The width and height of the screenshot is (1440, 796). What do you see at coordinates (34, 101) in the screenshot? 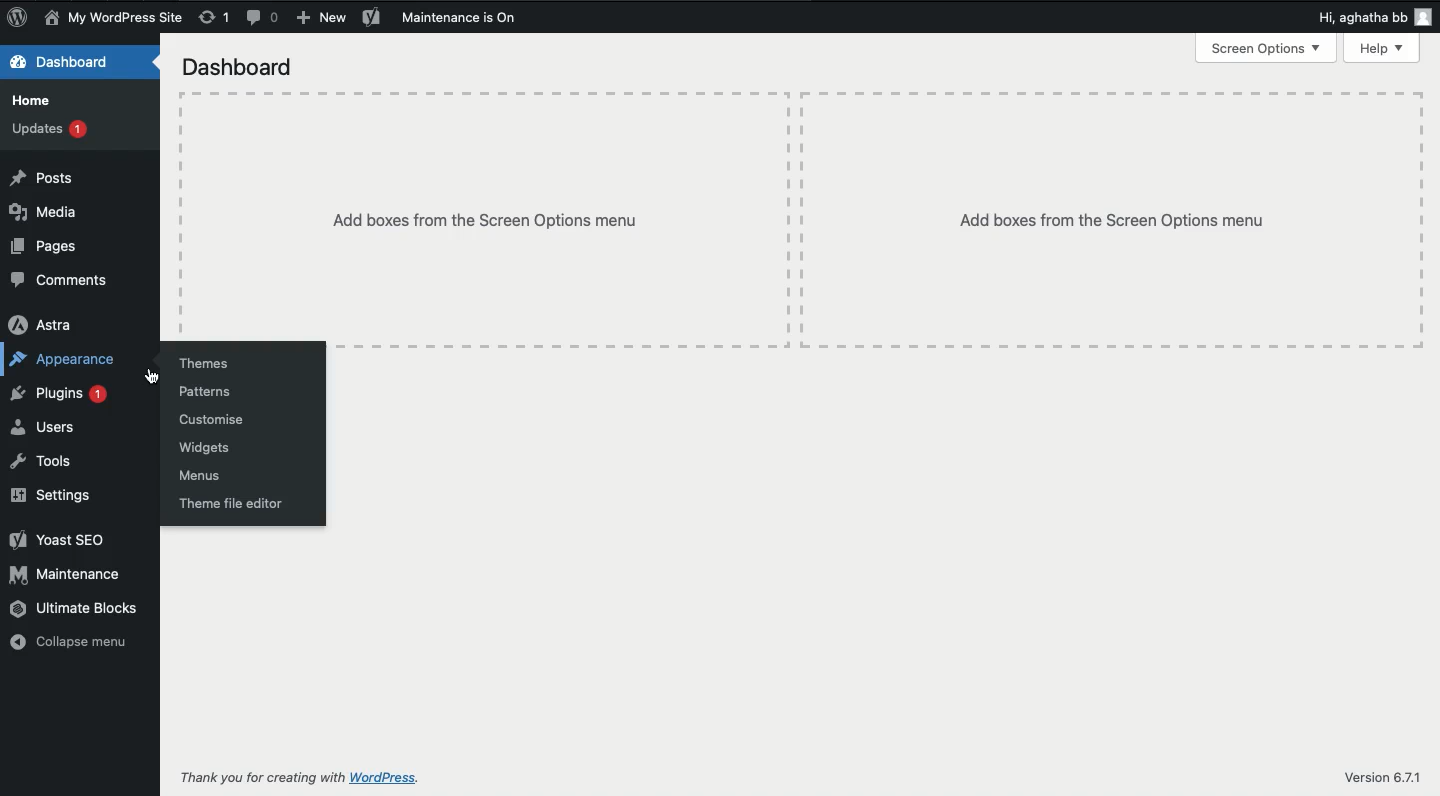
I see `Home` at bounding box center [34, 101].